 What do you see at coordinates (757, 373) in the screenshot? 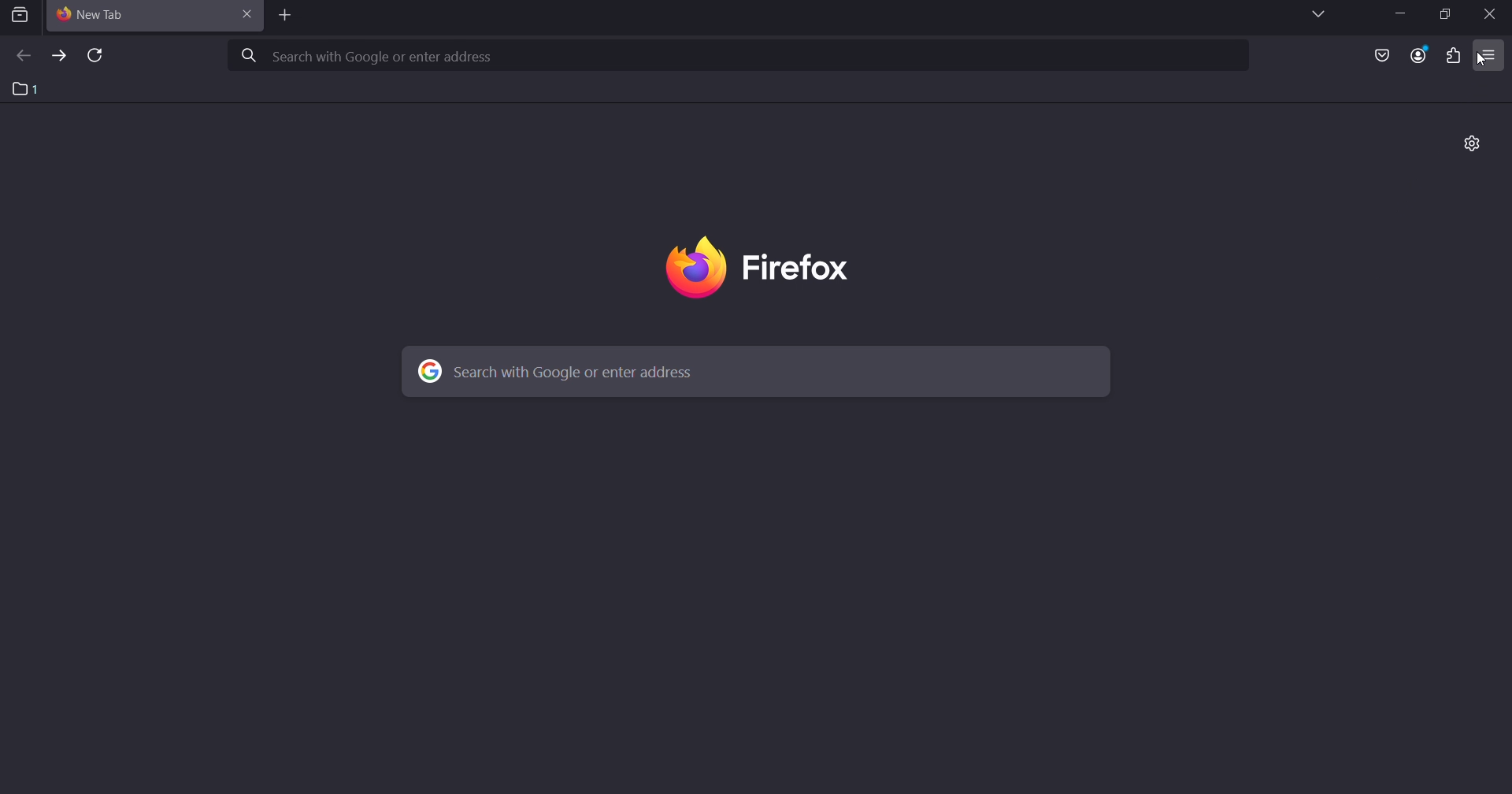
I see `search with google or enter address` at bounding box center [757, 373].